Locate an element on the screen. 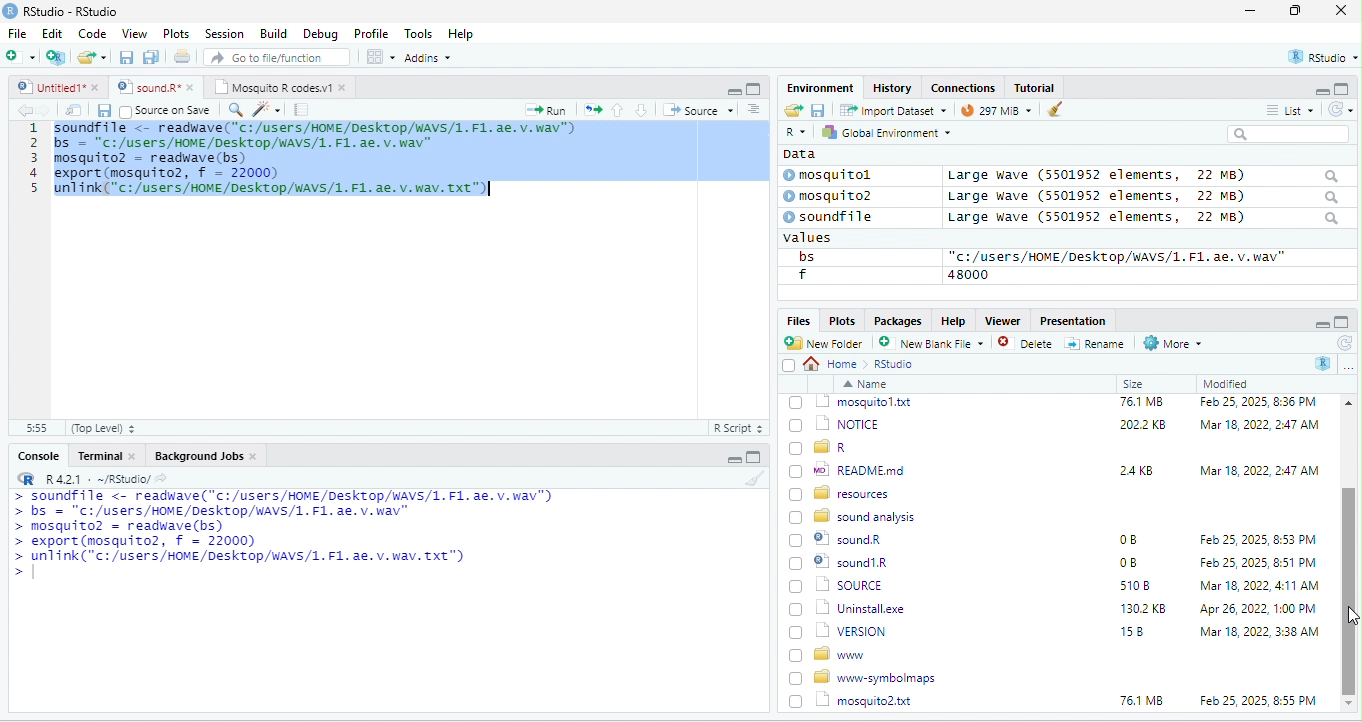  R is located at coordinates (794, 133).